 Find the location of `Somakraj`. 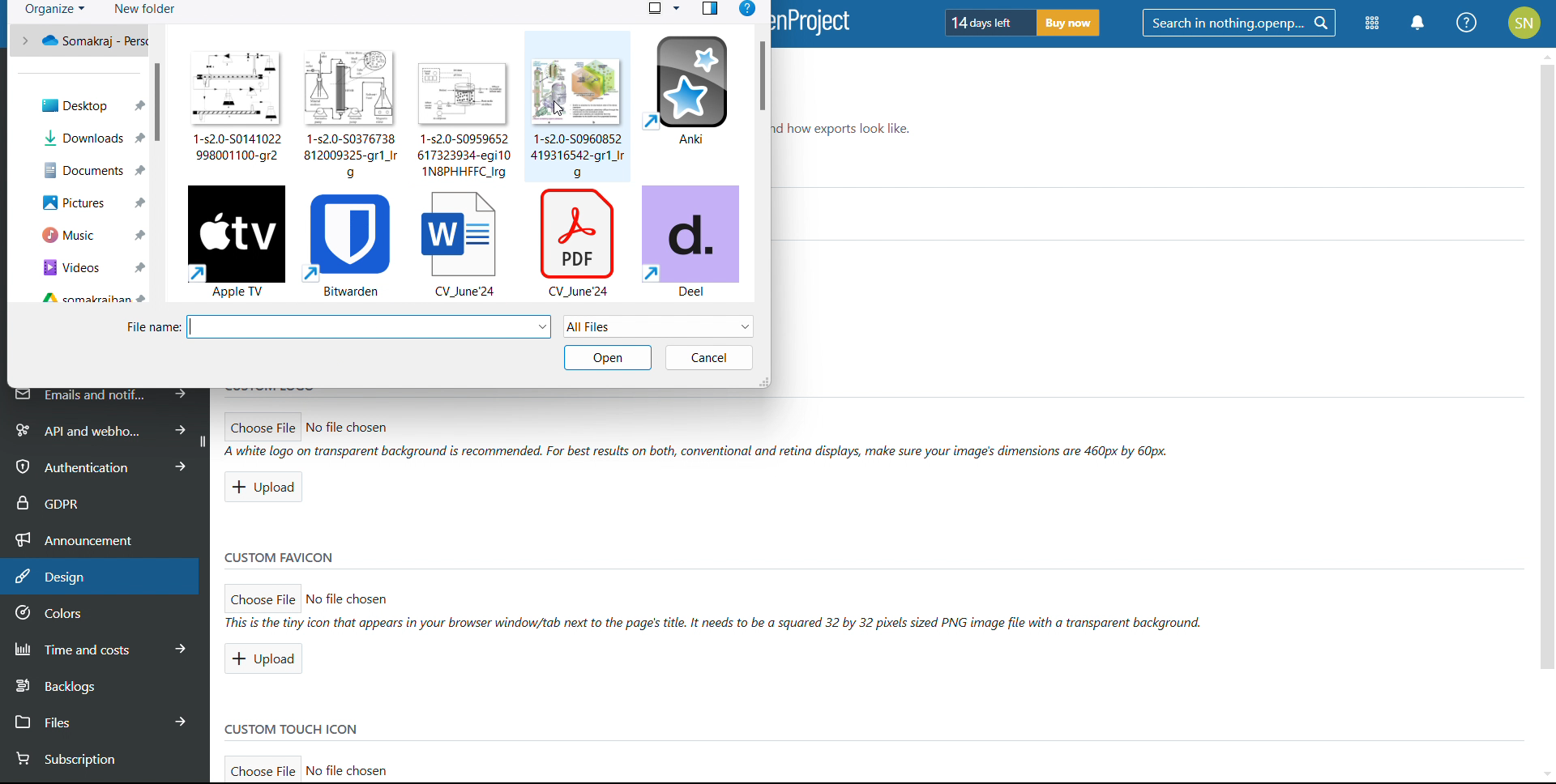

Somakraj is located at coordinates (82, 42).